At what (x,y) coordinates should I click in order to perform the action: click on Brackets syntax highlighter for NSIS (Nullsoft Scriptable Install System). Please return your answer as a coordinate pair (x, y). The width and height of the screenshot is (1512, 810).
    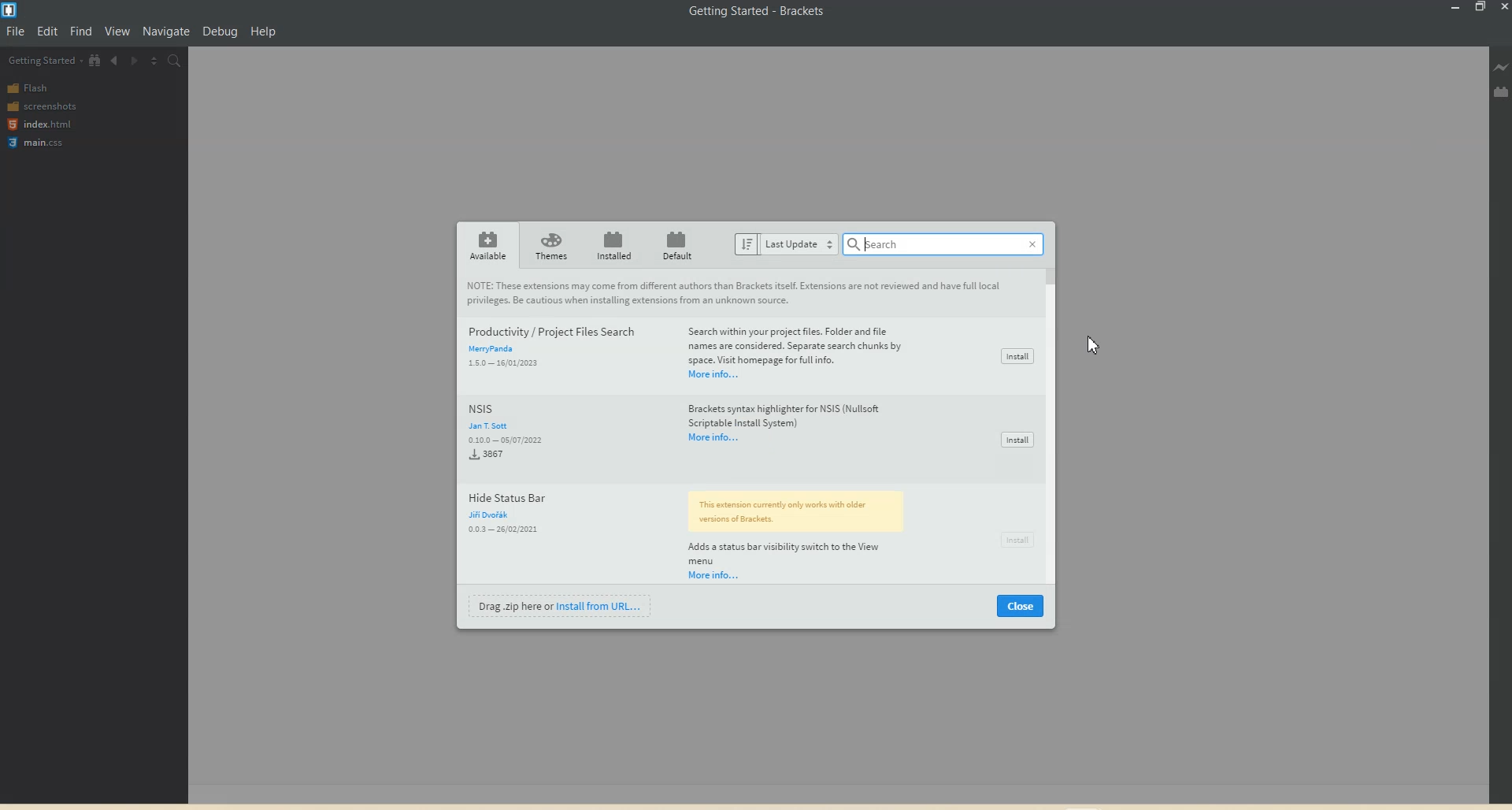
    Looking at the image, I should click on (784, 415).